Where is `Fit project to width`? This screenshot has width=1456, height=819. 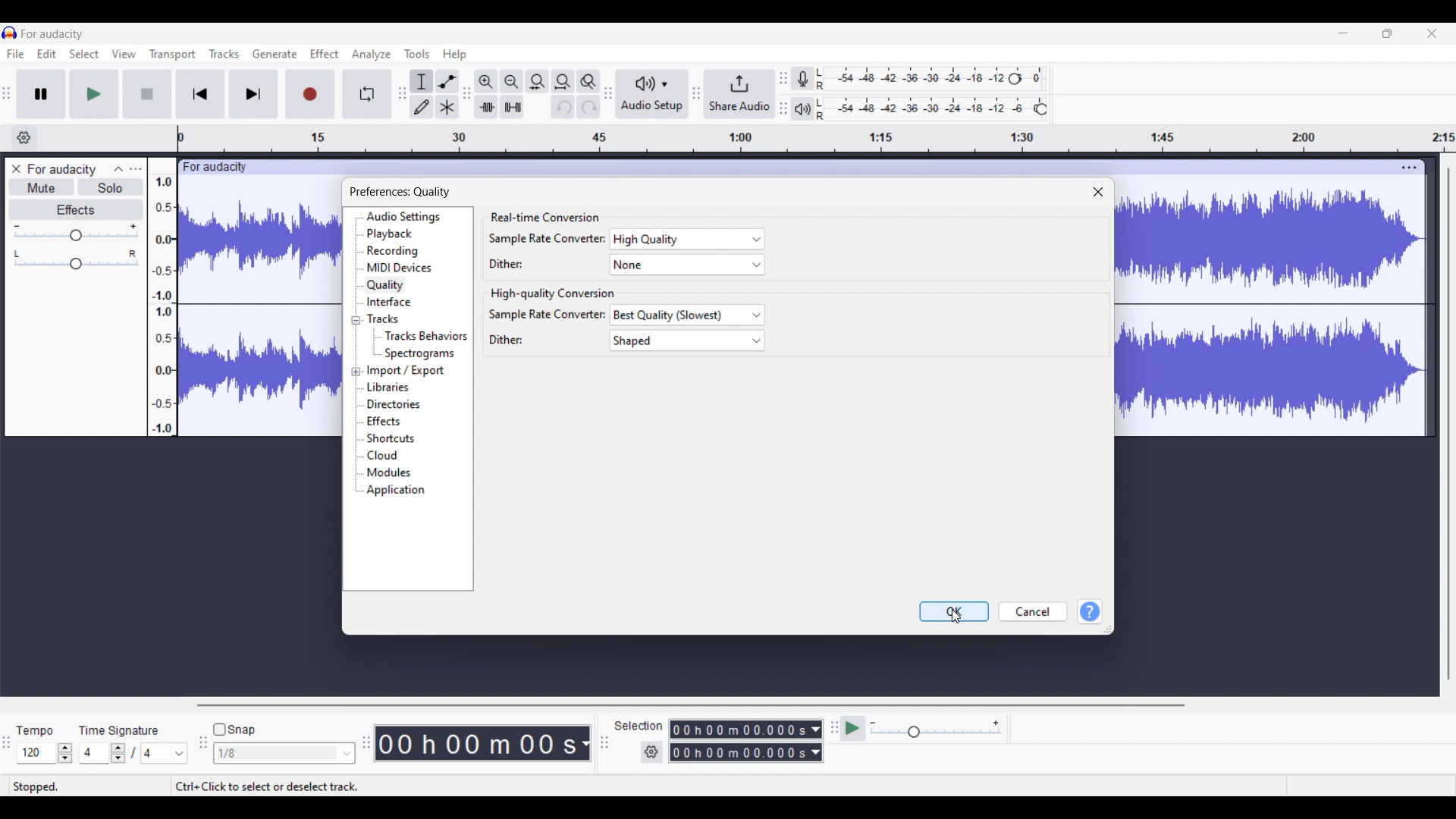 Fit project to width is located at coordinates (563, 82).